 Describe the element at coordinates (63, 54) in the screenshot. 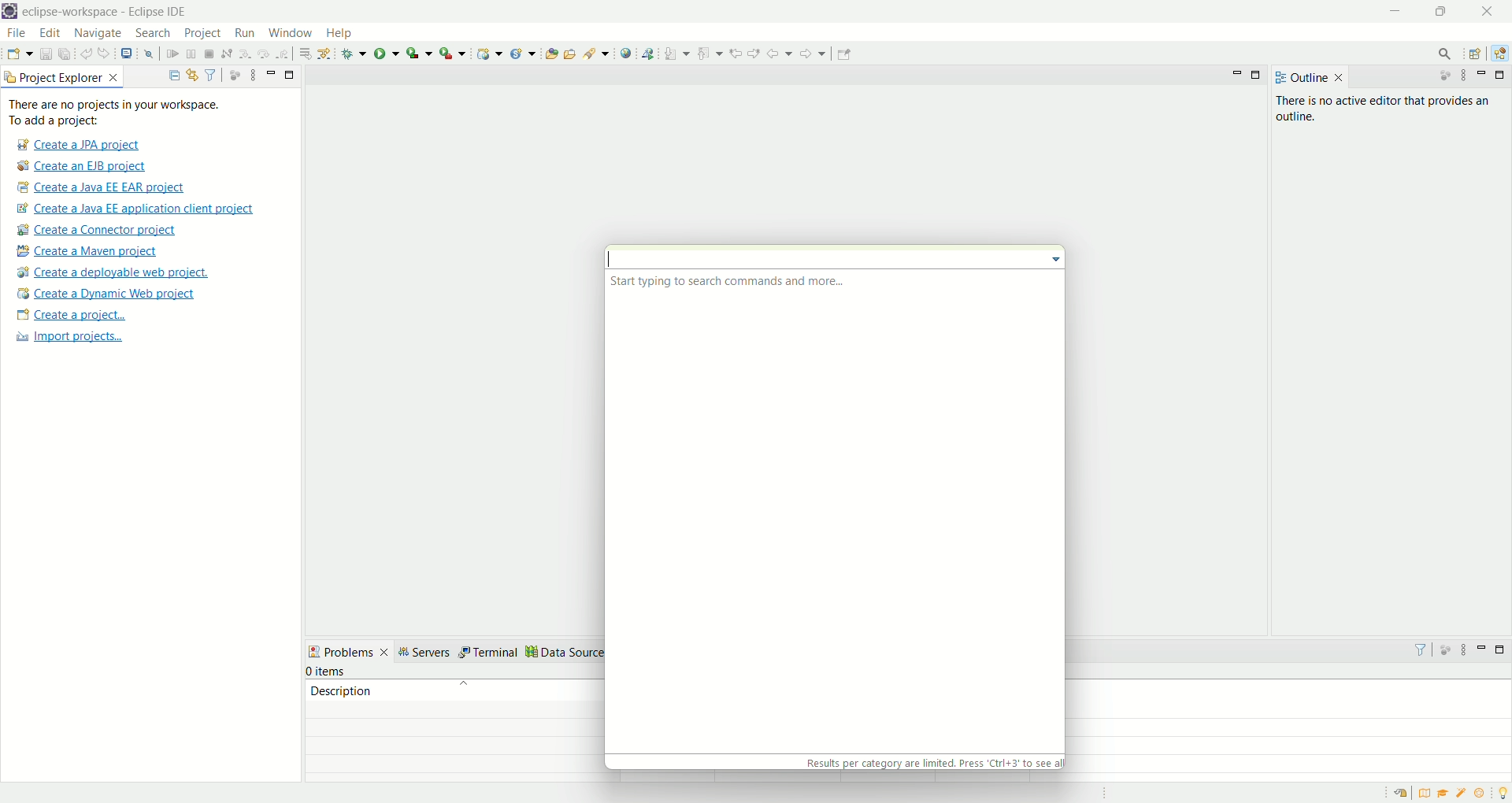

I see `save all` at that location.